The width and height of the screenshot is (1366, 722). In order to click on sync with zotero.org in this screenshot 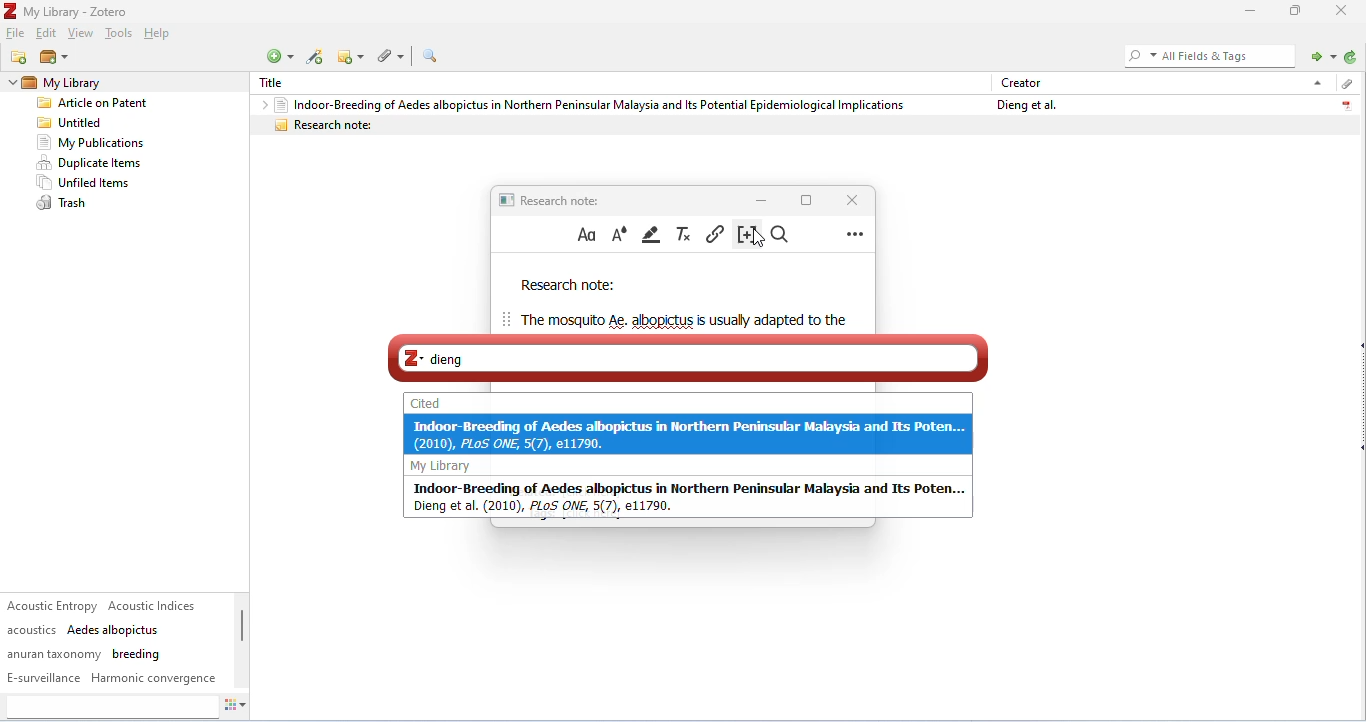, I will do `click(1351, 57)`.